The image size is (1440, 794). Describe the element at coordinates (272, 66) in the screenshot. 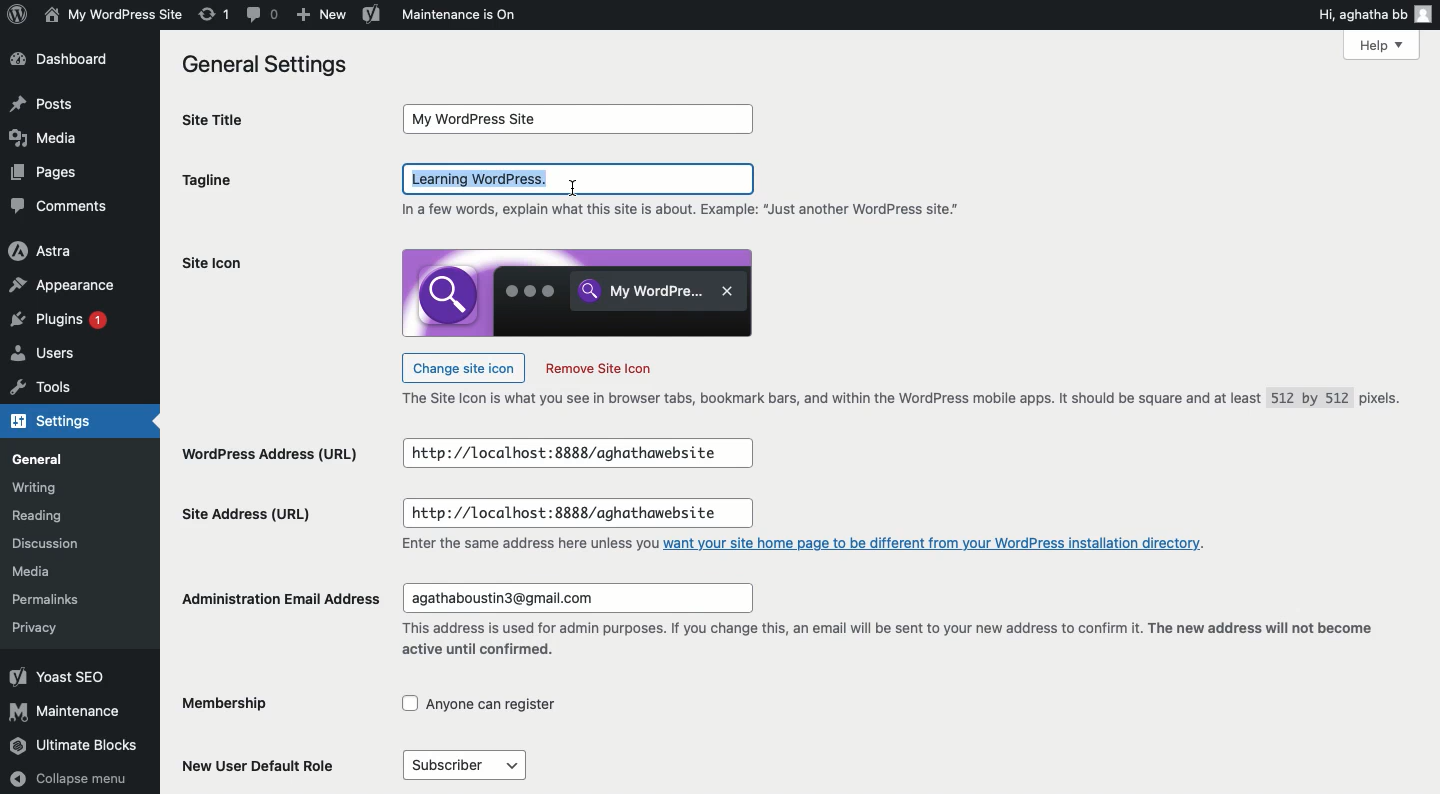

I see `General settings` at that location.